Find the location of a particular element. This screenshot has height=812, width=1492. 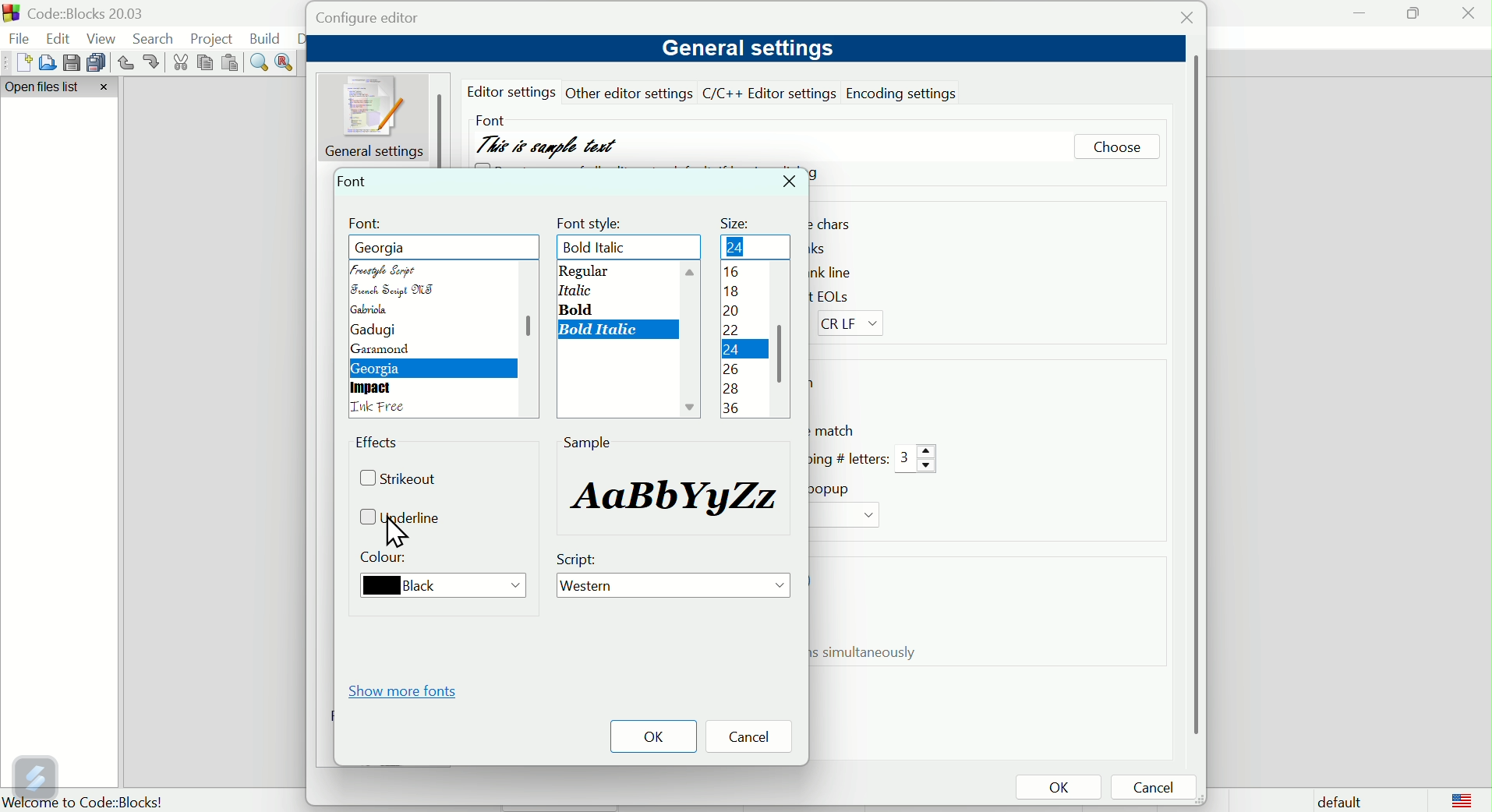

Oblique is located at coordinates (574, 290).